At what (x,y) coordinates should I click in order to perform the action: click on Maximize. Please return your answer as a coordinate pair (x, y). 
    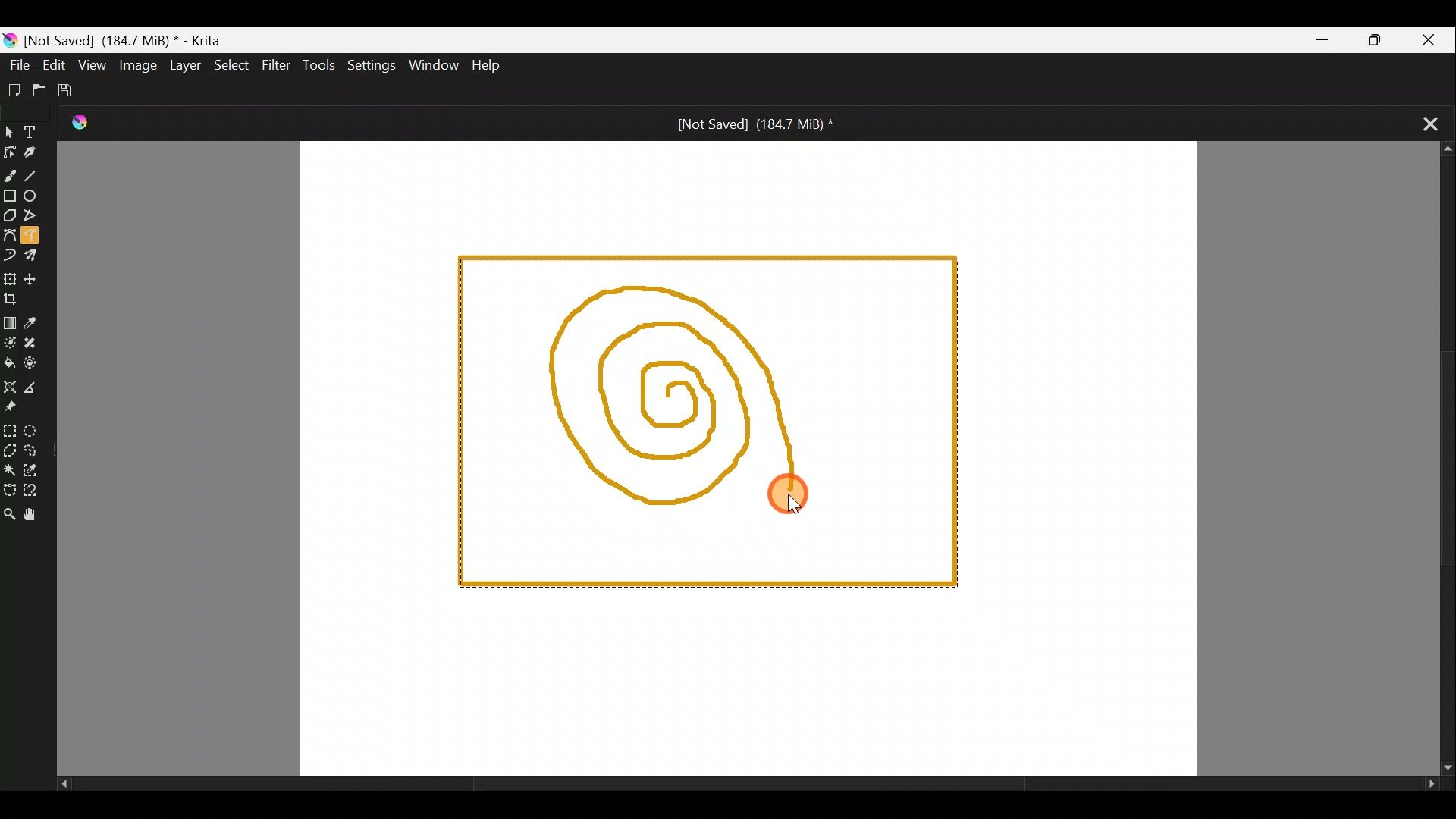
    Looking at the image, I should click on (1379, 39).